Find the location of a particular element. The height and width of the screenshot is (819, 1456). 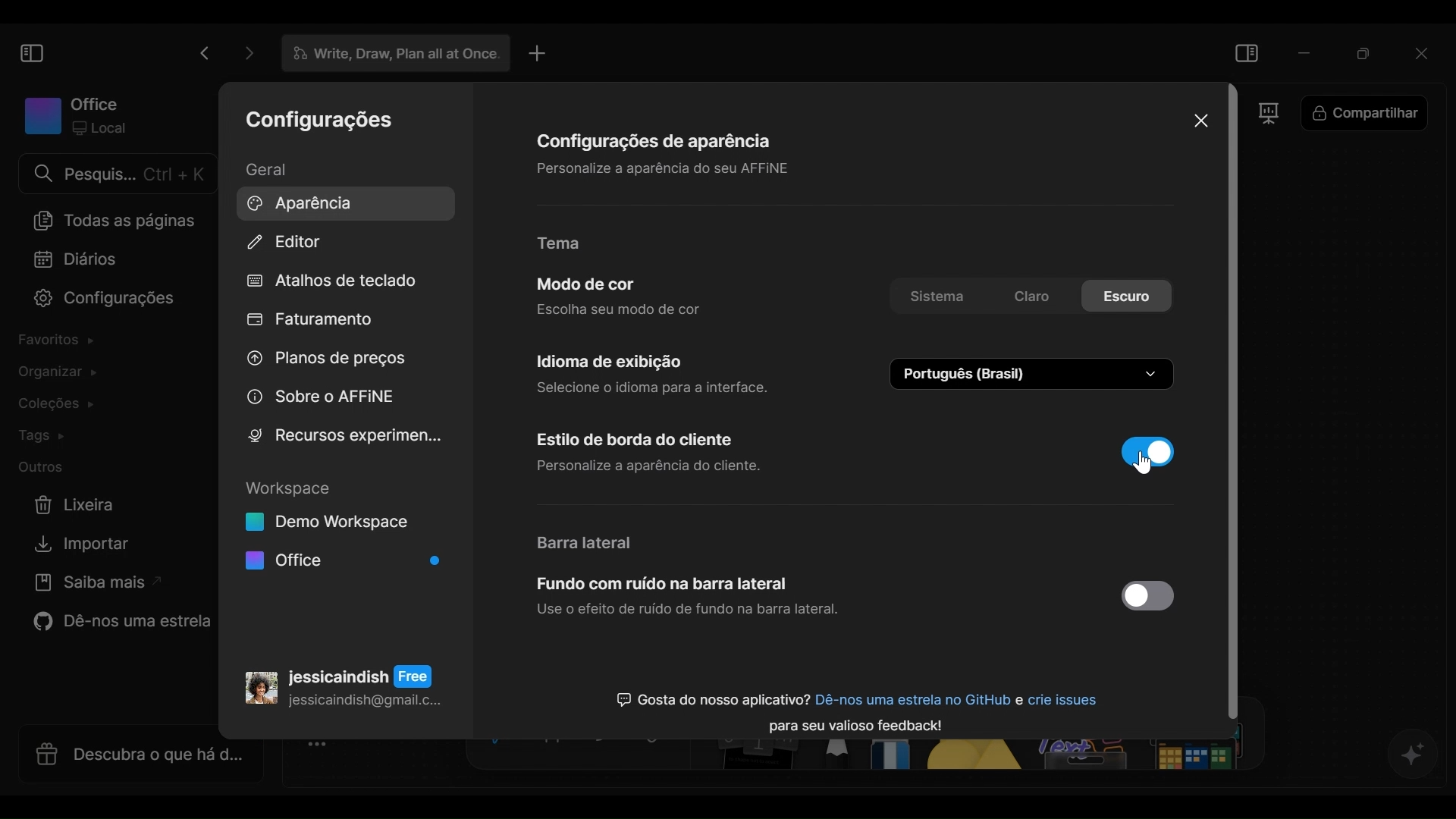

General is located at coordinates (278, 169).